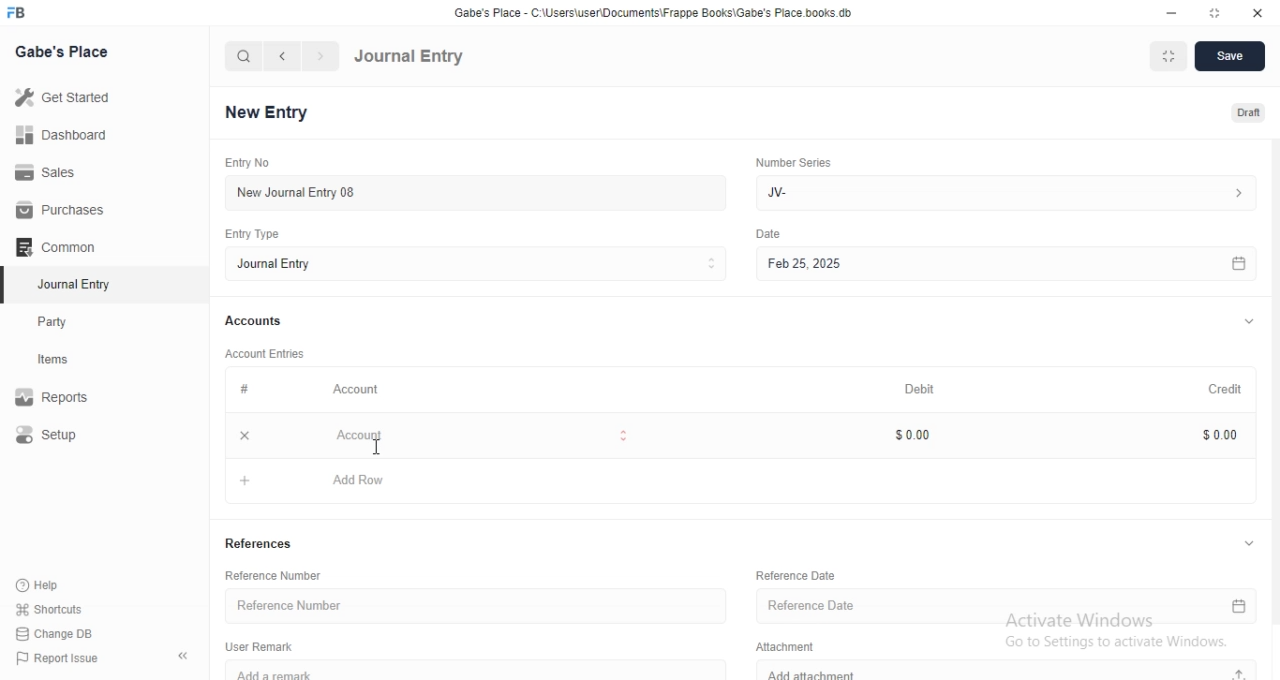 This screenshot has width=1280, height=680. Describe the element at coordinates (277, 574) in the screenshot. I see `Reference Number` at that location.